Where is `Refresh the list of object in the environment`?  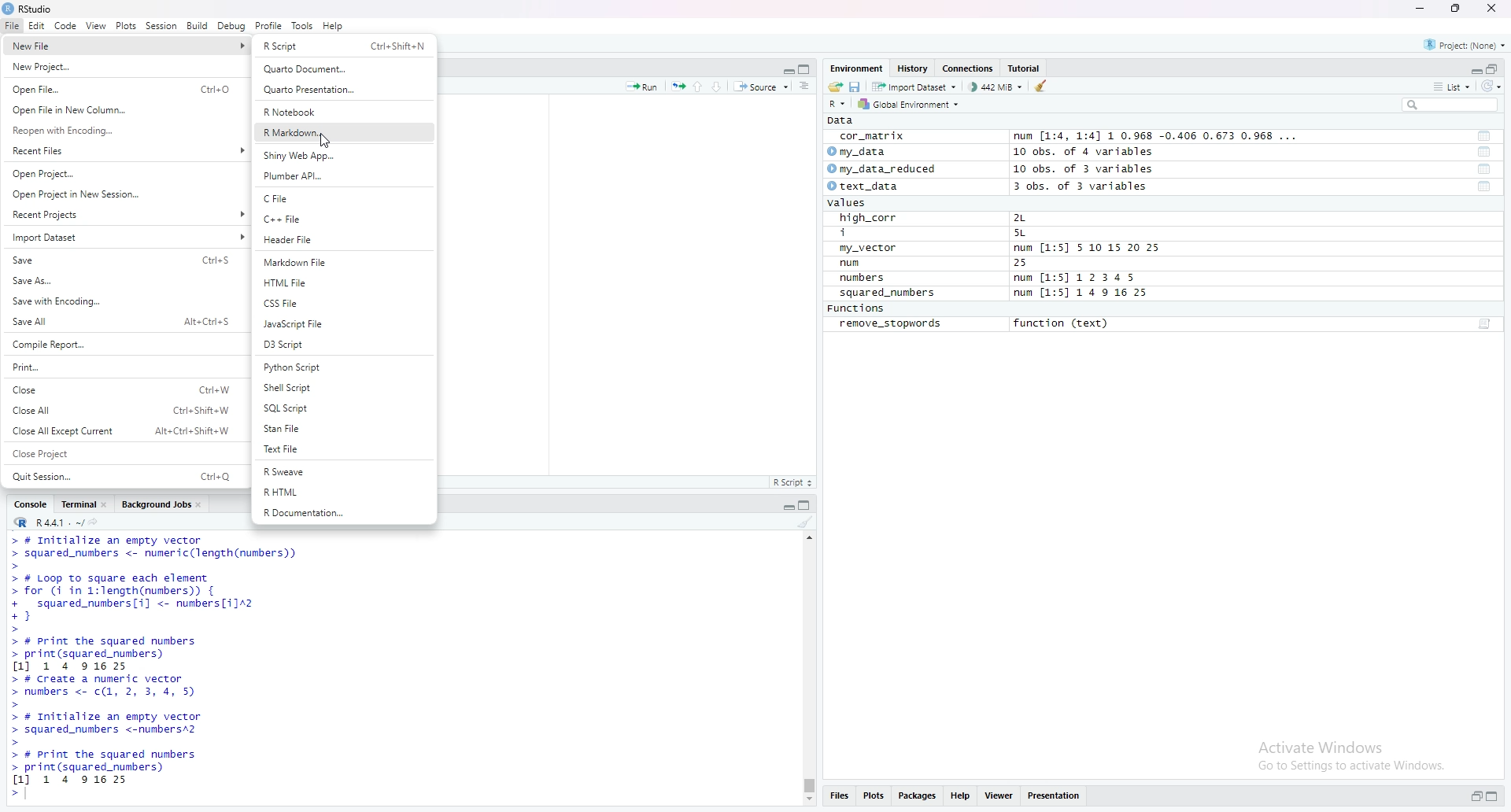 Refresh the list of object in the environment is located at coordinates (1496, 86).